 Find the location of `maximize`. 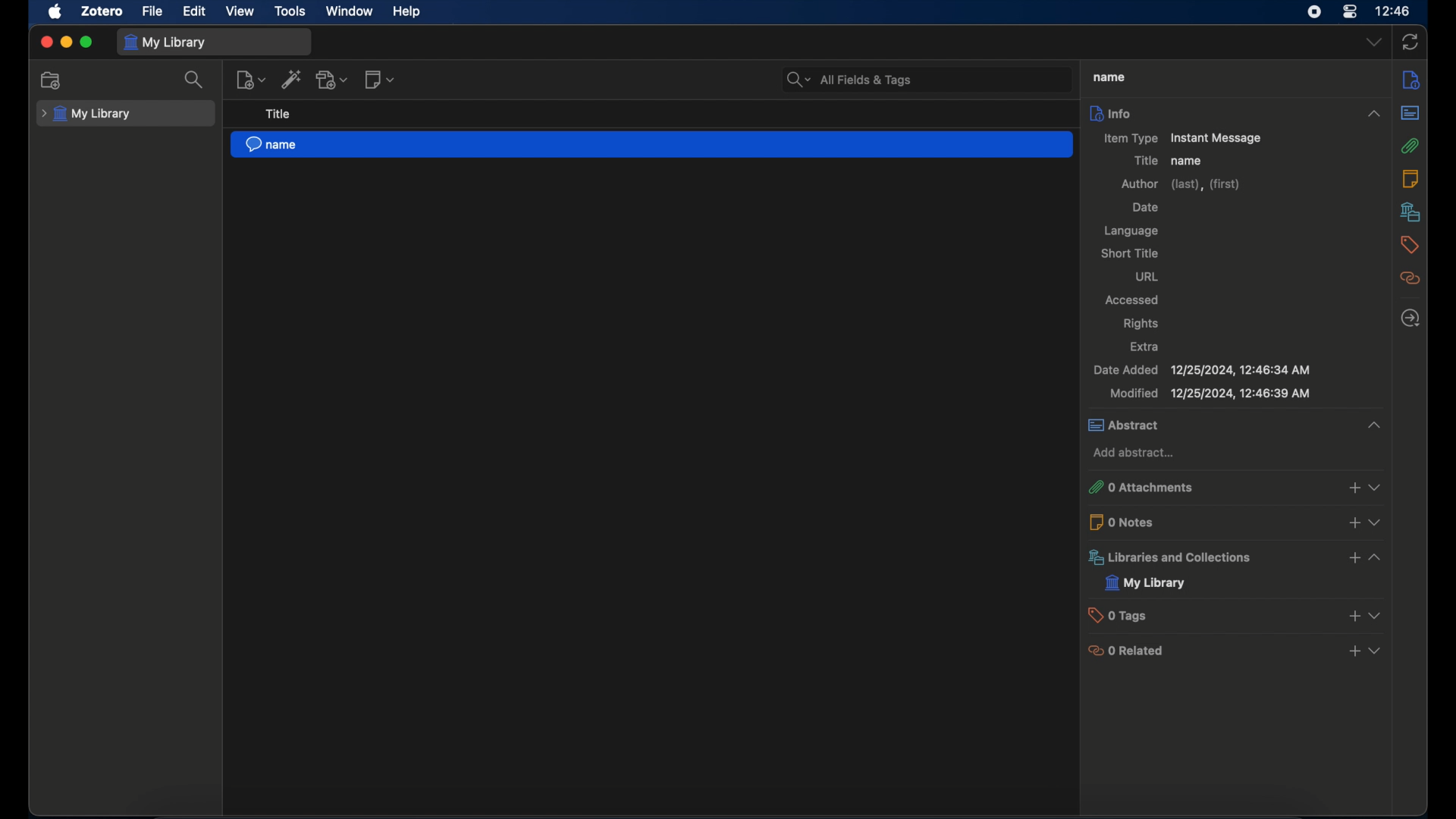

maximize is located at coordinates (86, 42).